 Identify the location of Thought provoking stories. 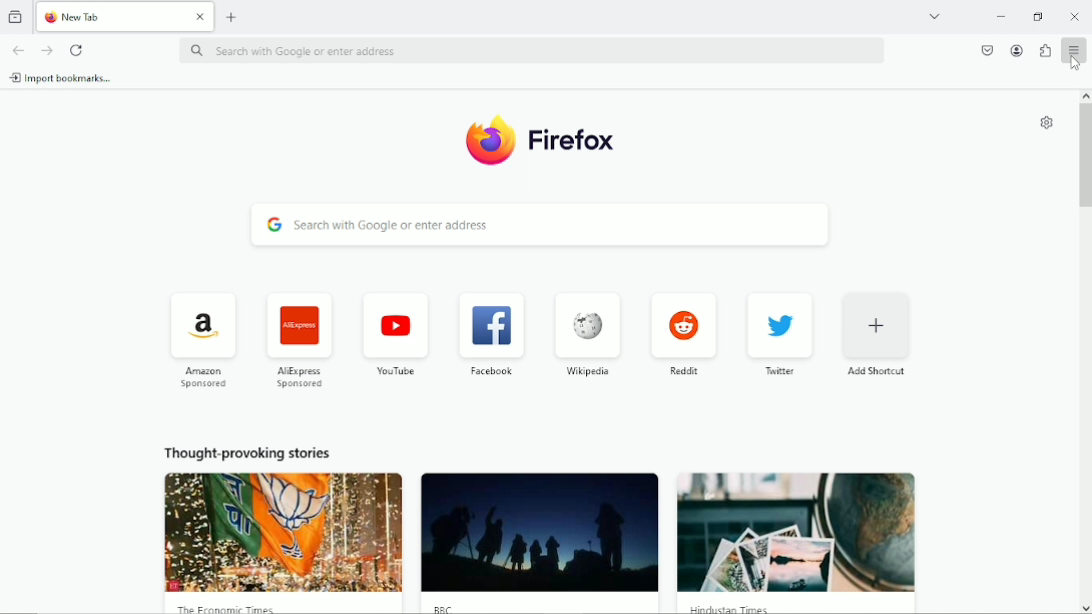
(248, 451).